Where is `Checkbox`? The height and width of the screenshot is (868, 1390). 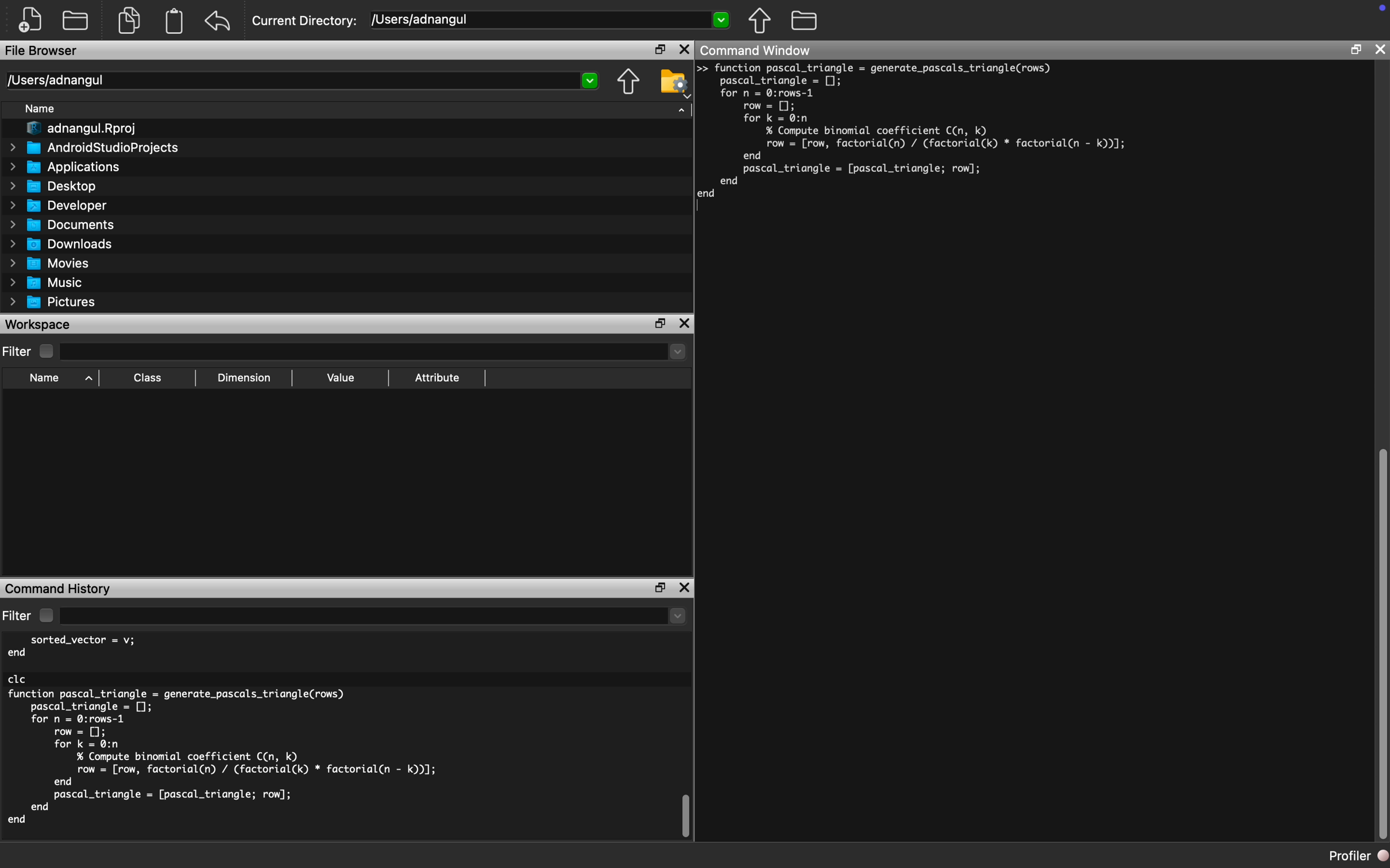 Checkbox is located at coordinates (48, 352).